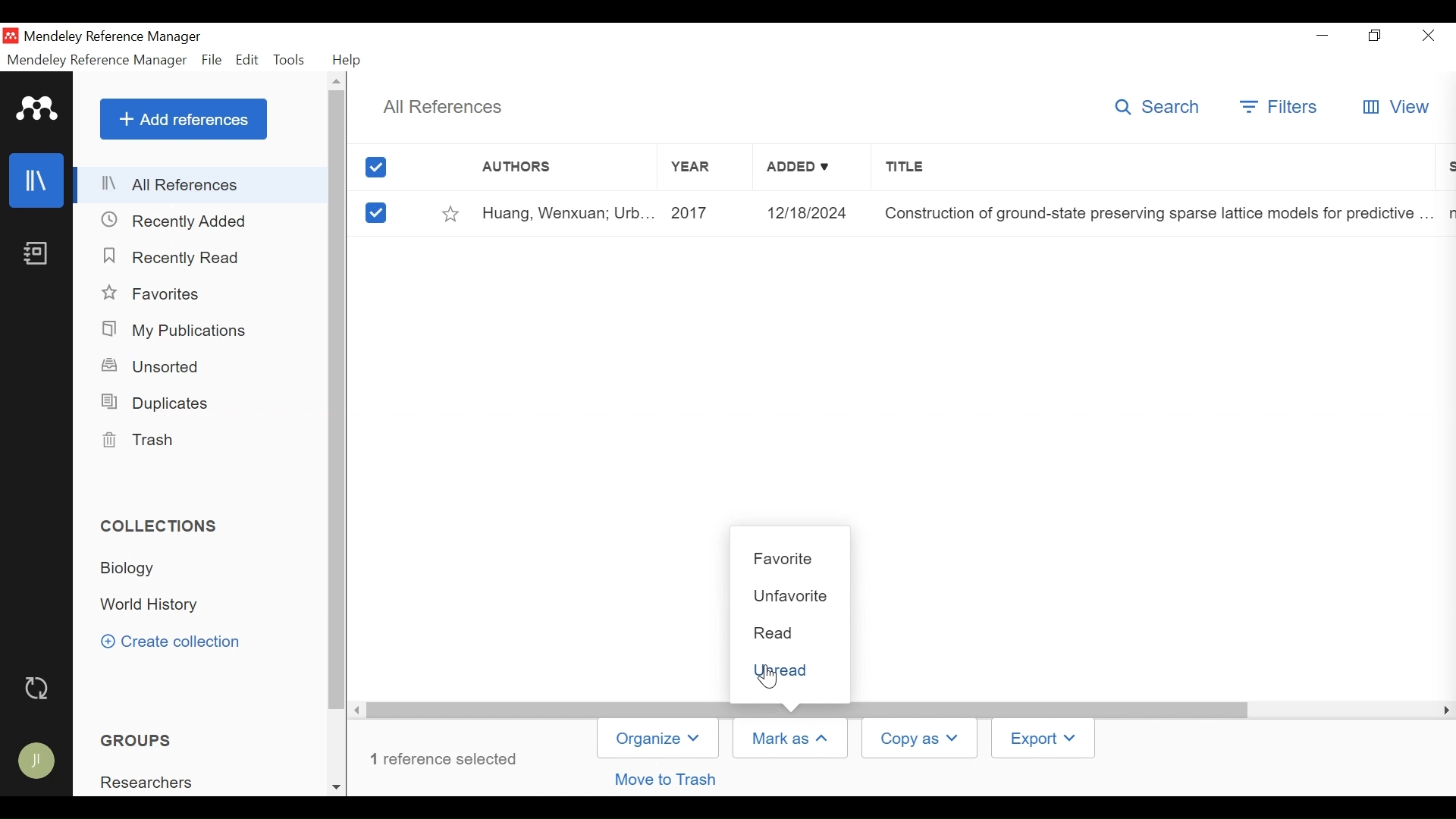  What do you see at coordinates (1447, 711) in the screenshot?
I see `Scroll Right` at bounding box center [1447, 711].